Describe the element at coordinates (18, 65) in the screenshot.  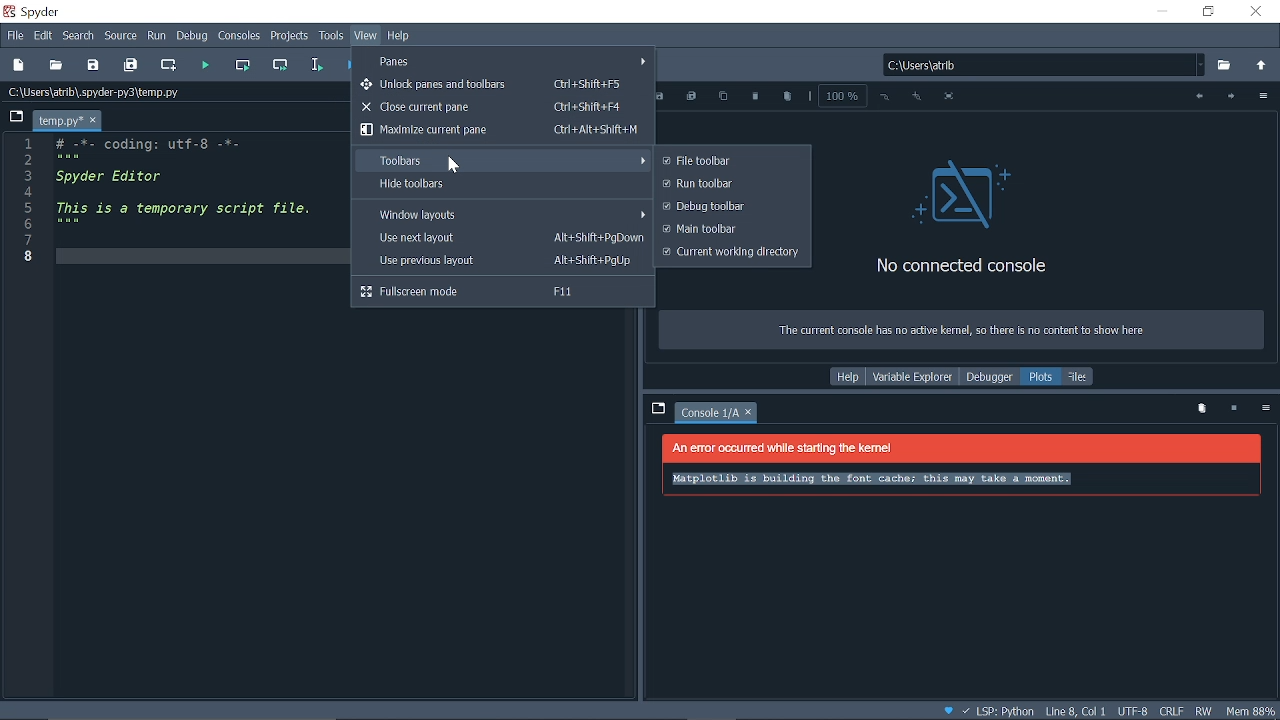
I see `New` at that location.